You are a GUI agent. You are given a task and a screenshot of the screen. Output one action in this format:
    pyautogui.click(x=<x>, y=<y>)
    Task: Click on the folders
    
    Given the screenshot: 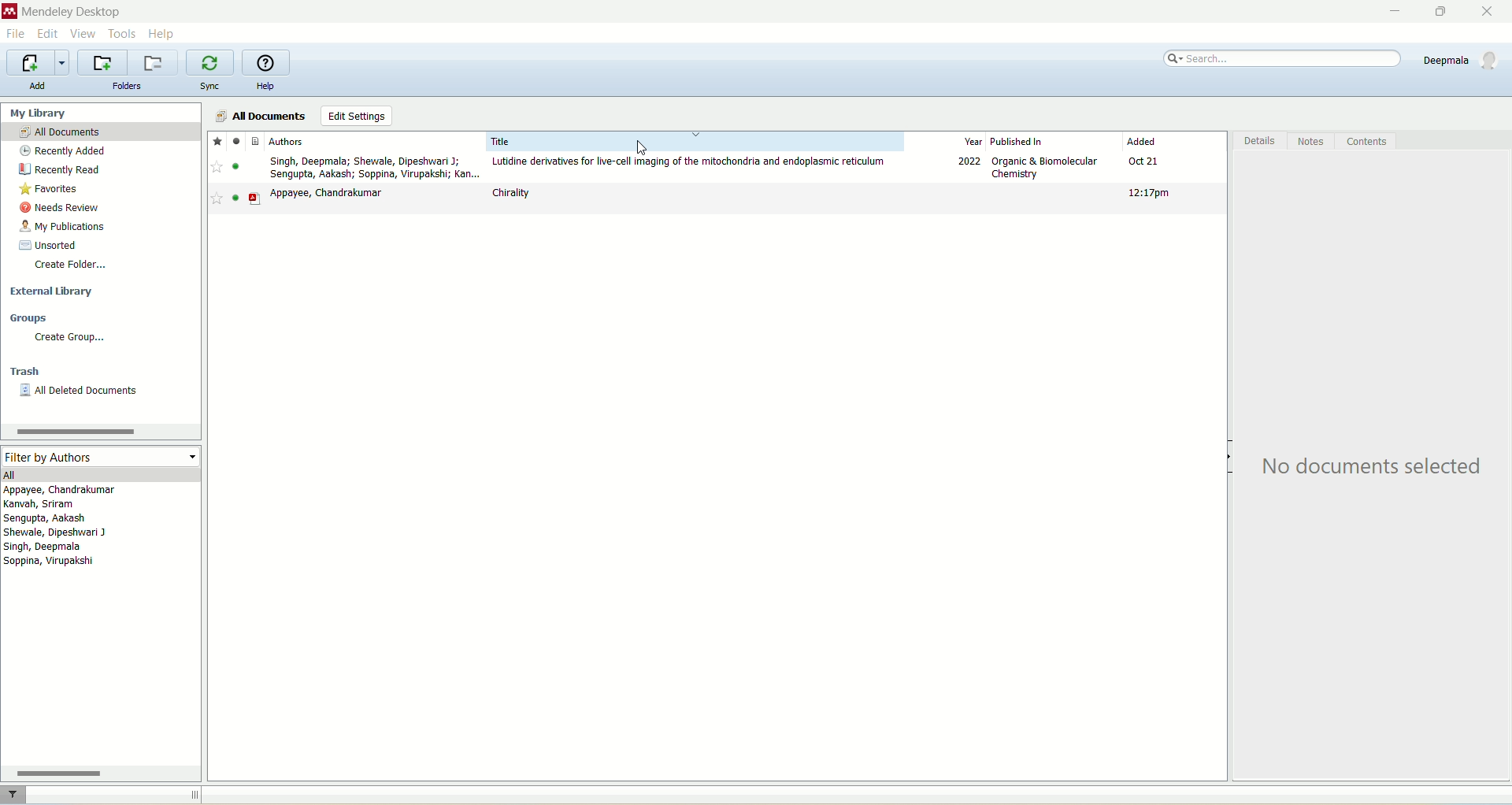 What is the action you would take?
    pyautogui.click(x=127, y=87)
    